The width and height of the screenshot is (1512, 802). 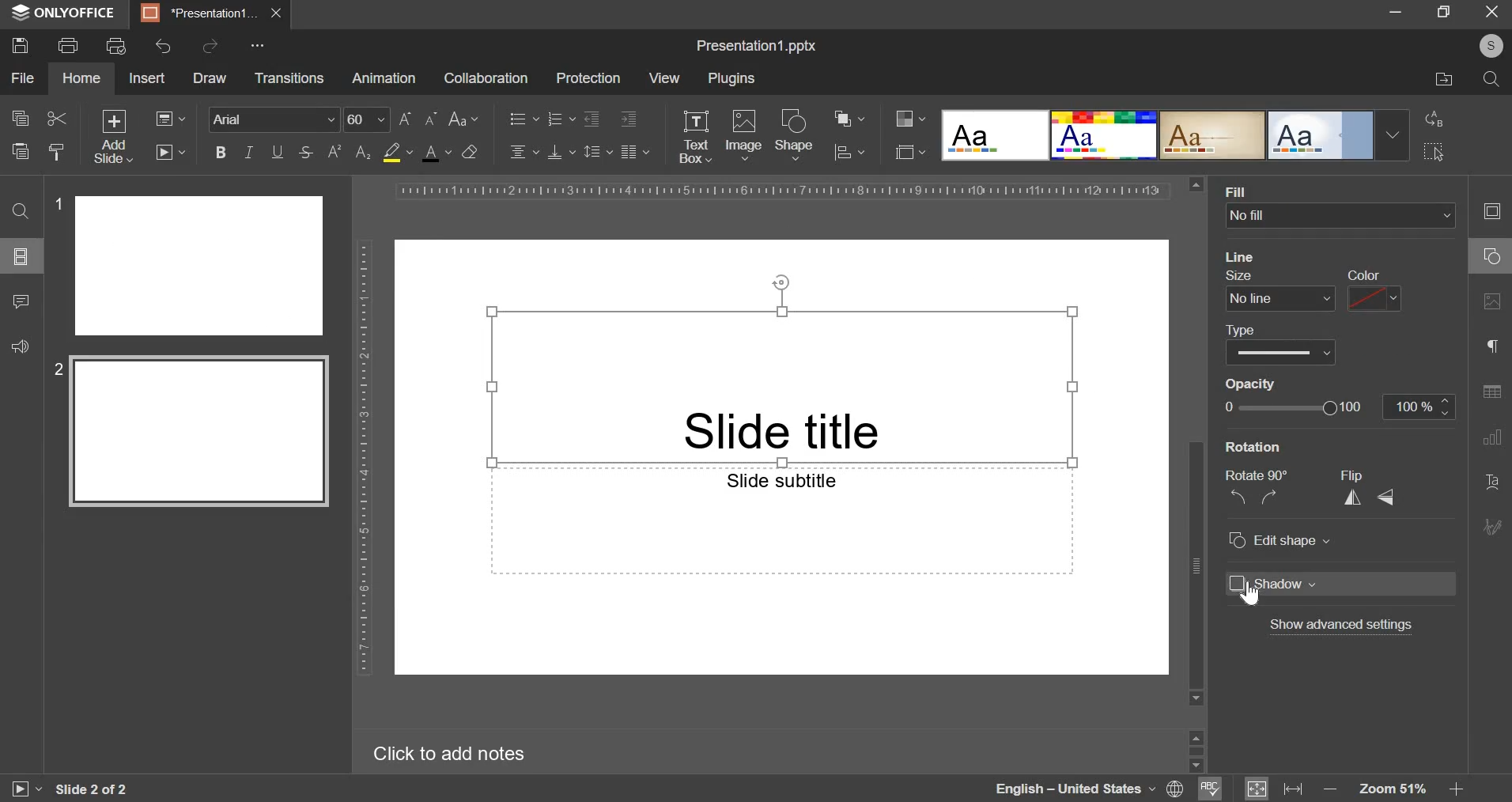 I want to click on text color, so click(x=436, y=153).